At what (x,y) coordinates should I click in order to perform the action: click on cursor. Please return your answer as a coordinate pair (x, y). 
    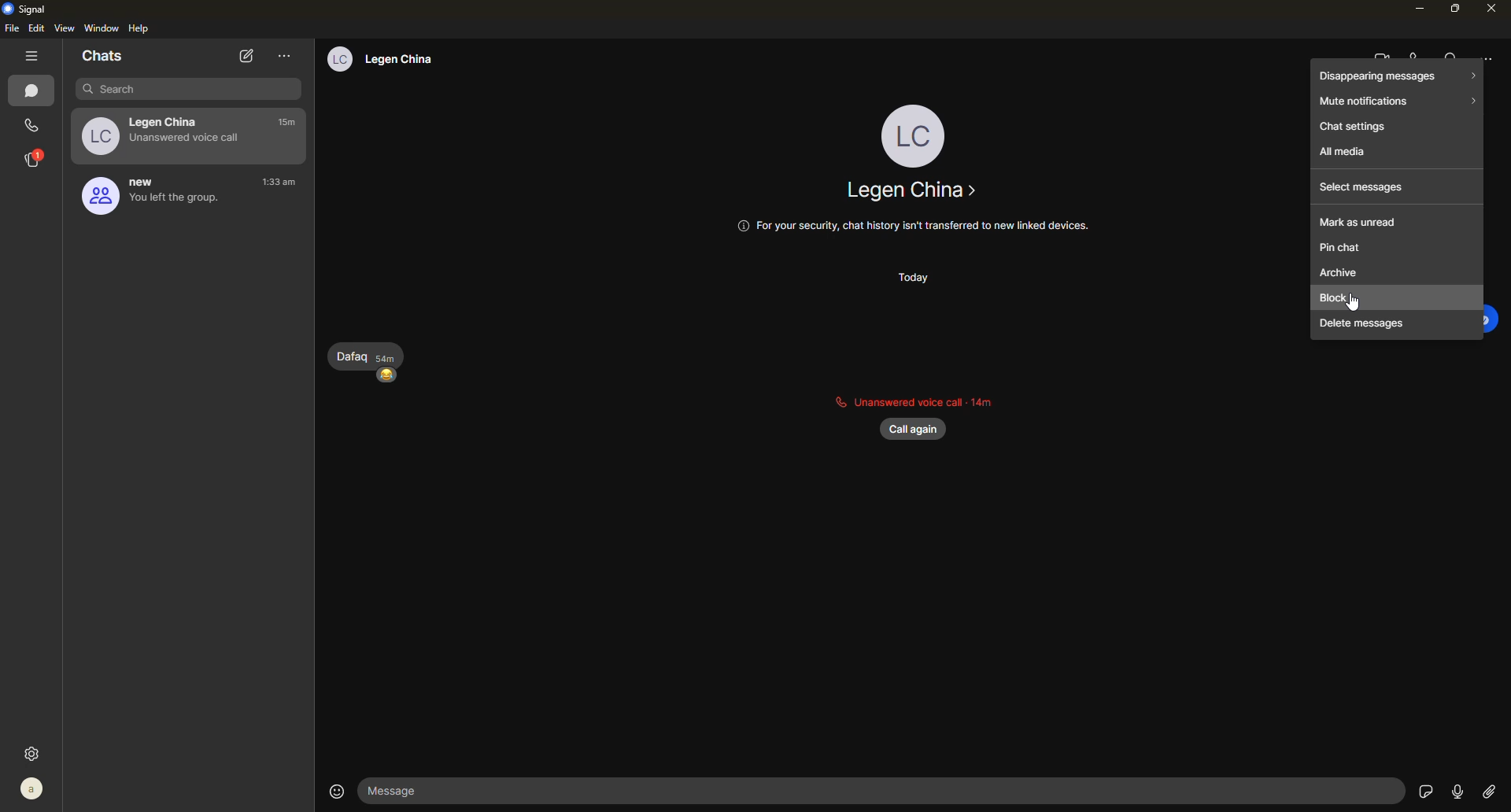
    Looking at the image, I should click on (1494, 72).